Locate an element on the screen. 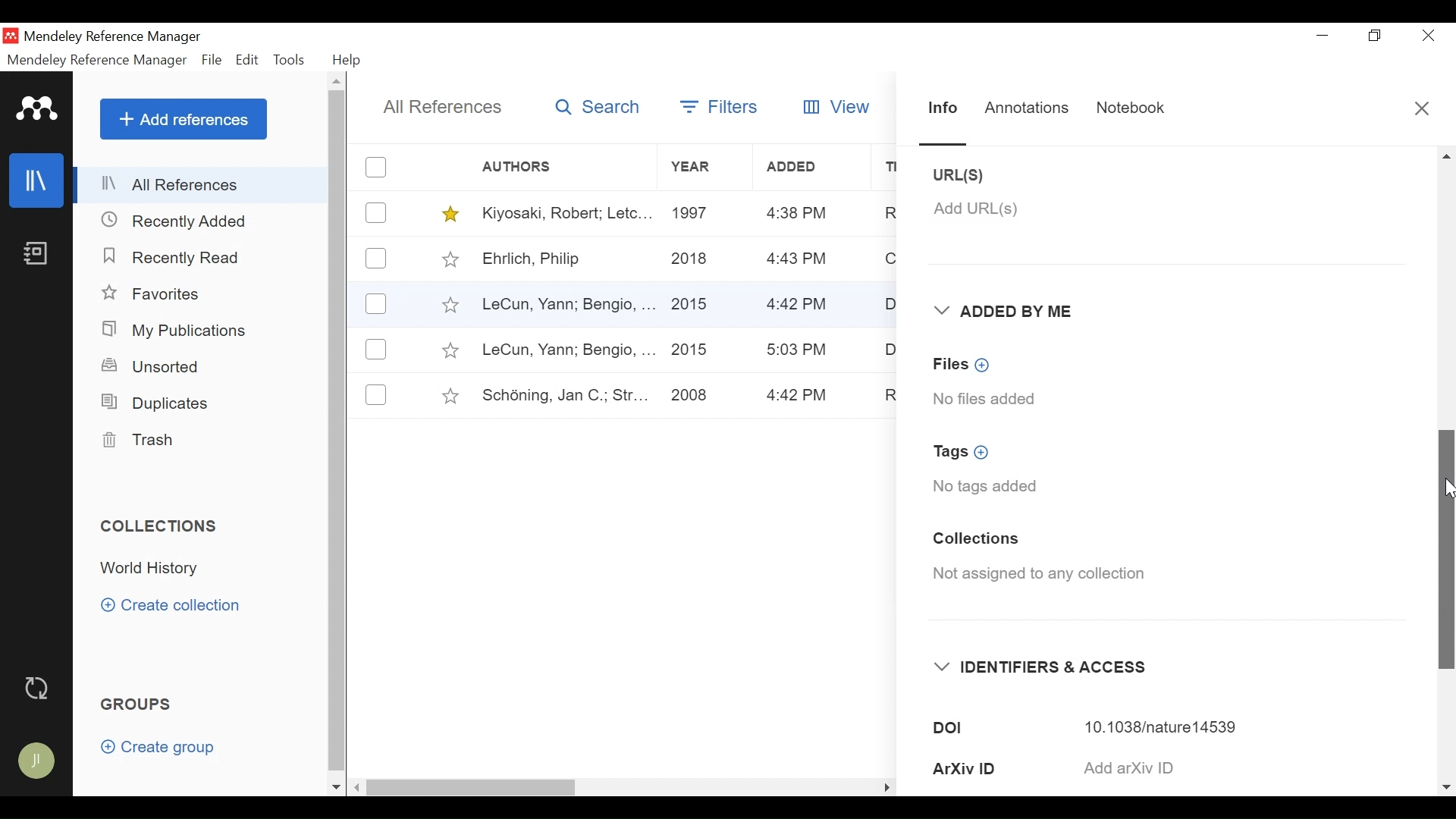 The image size is (1456, 819). Added by Me is located at coordinates (1009, 312).